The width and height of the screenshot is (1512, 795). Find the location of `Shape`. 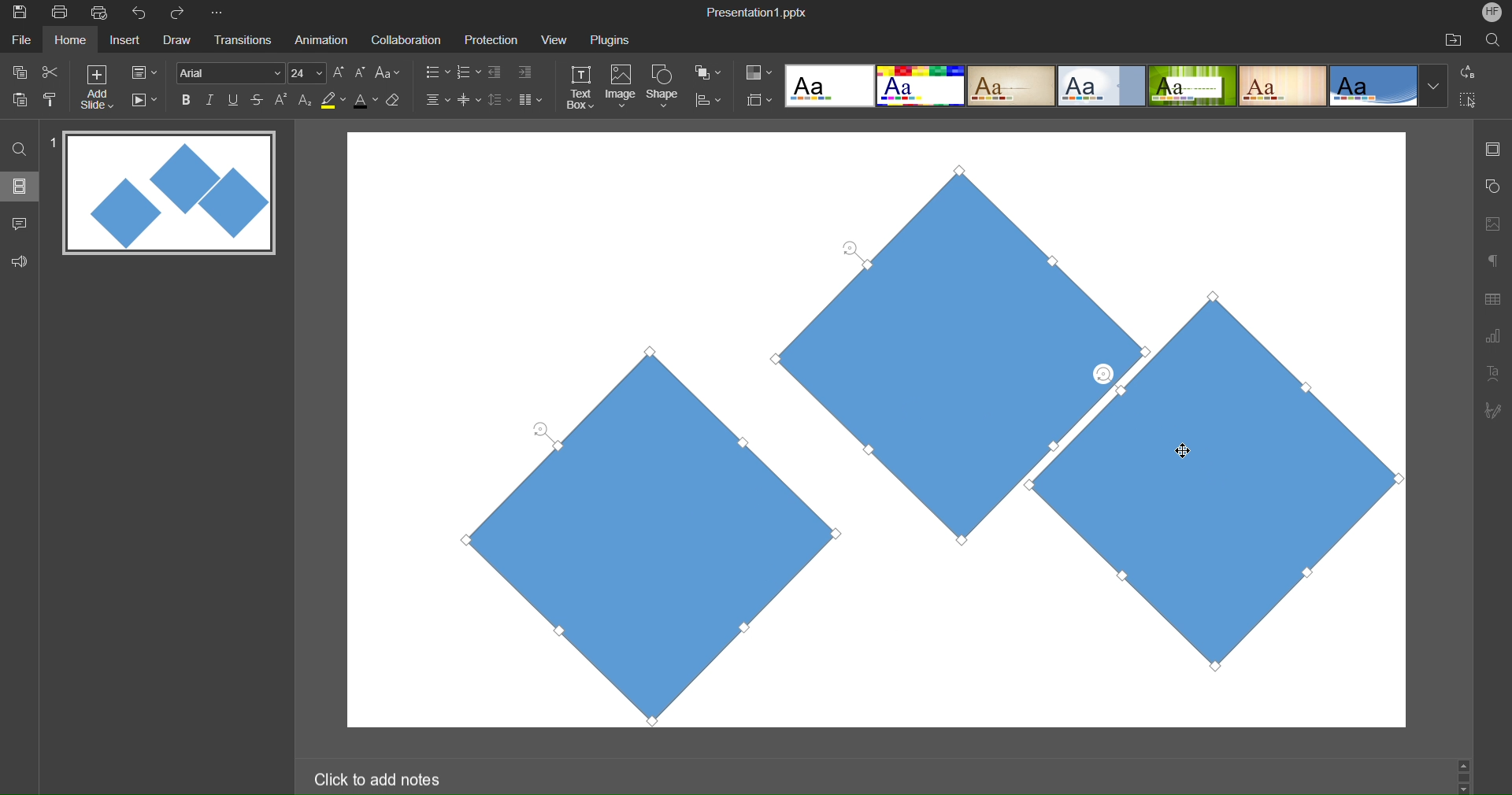

Shape is located at coordinates (664, 88).